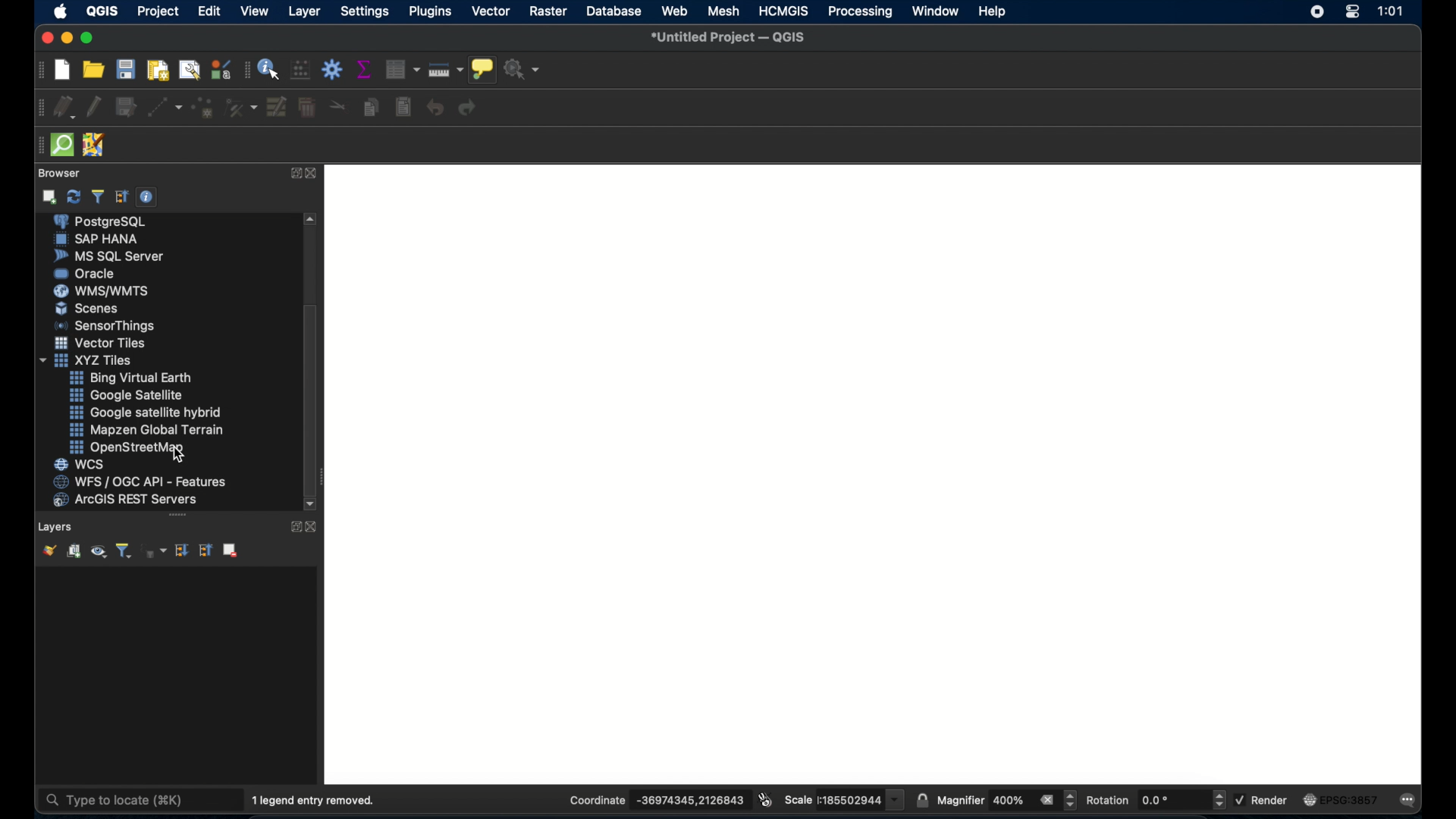 The image size is (1456, 819). What do you see at coordinates (95, 238) in the screenshot?
I see `sap hana` at bounding box center [95, 238].